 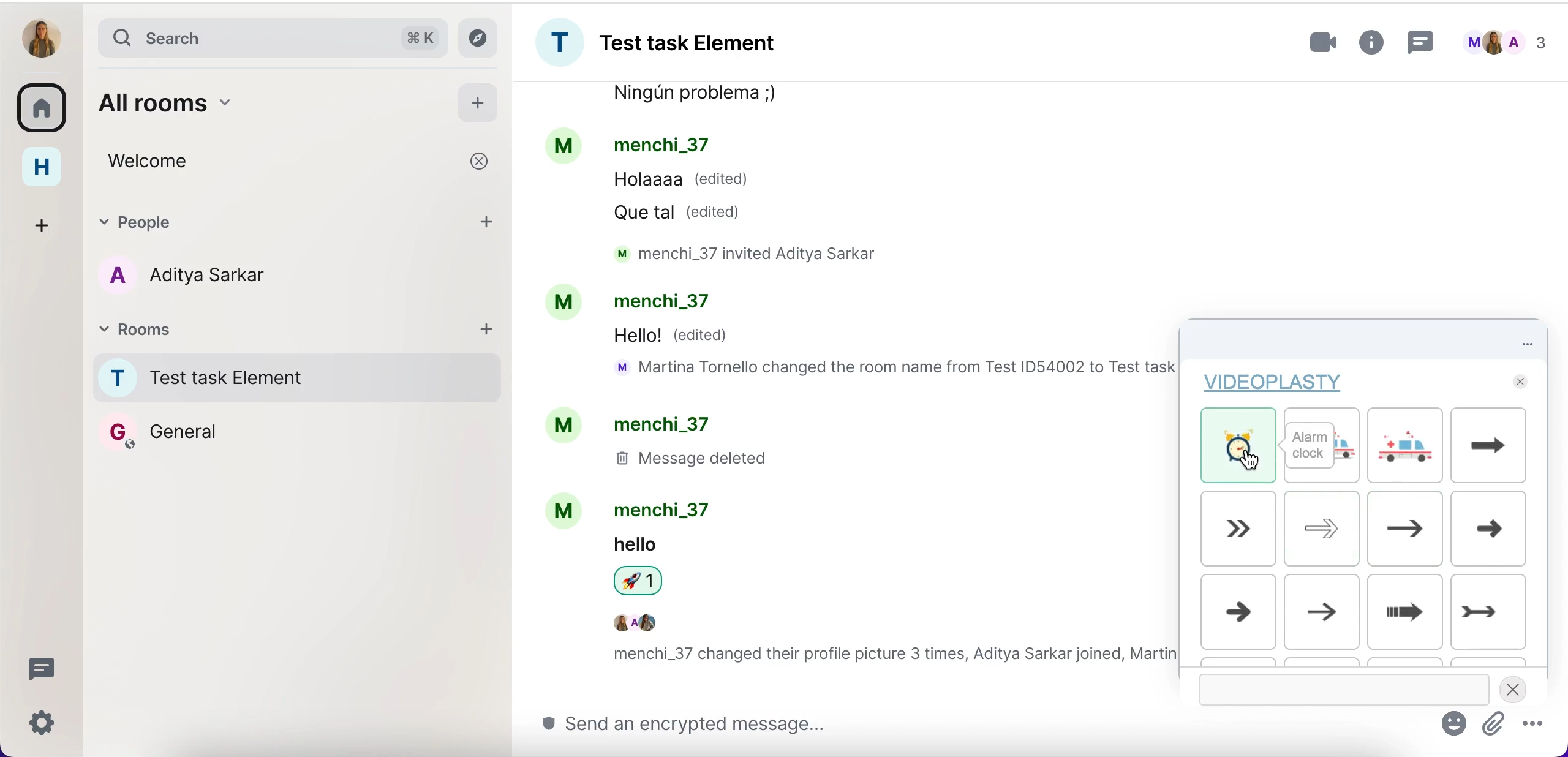 I want to click on close, so click(x=1521, y=382).